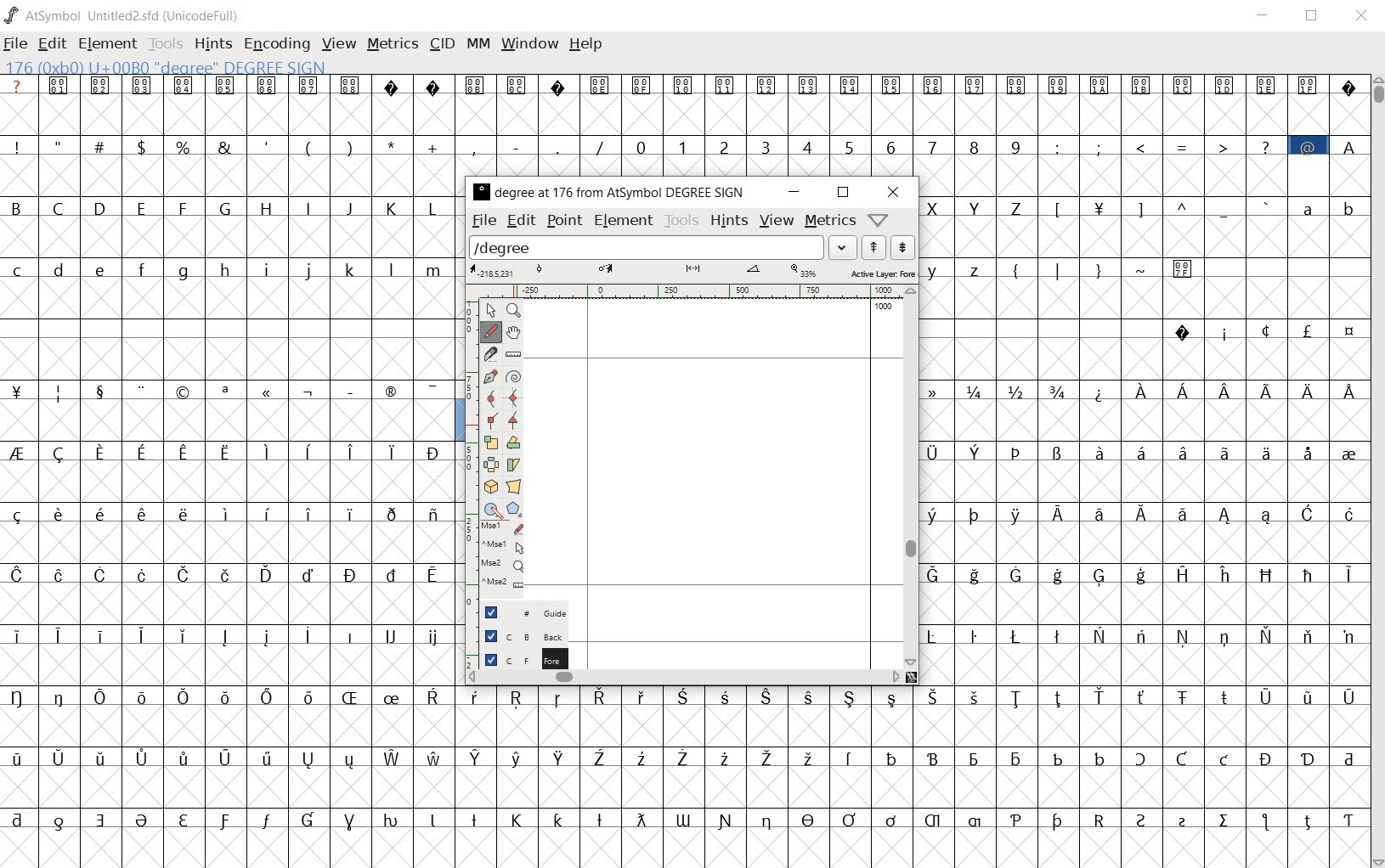  What do you see at coordinates (513, 465) in the screenshot?
I see `skew the selection` at bounding box center [513, 465].